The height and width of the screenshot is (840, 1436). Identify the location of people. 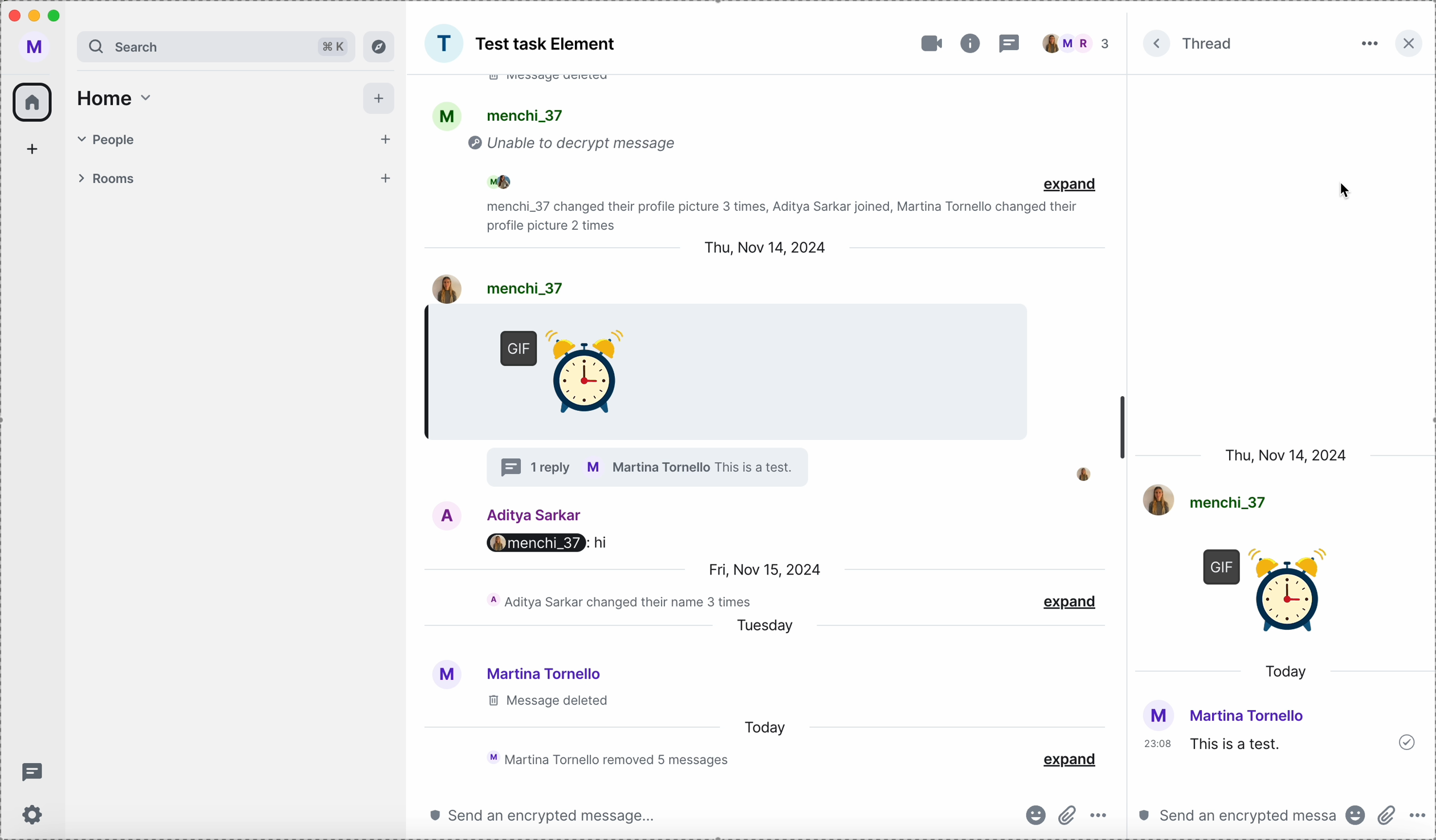
(239, 137).